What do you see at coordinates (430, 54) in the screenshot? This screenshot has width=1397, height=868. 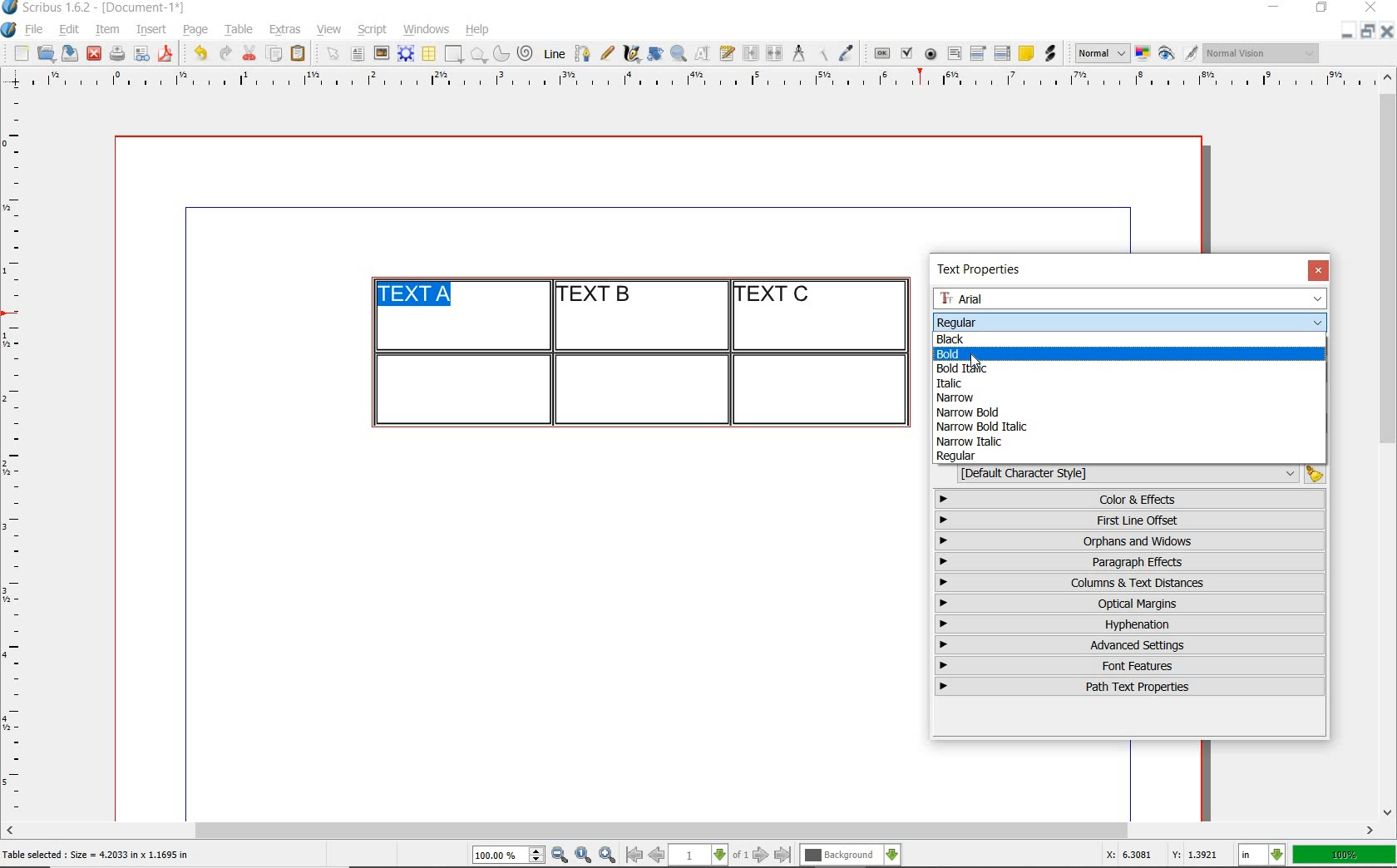 I see `table` at bounding box center [430, 54].